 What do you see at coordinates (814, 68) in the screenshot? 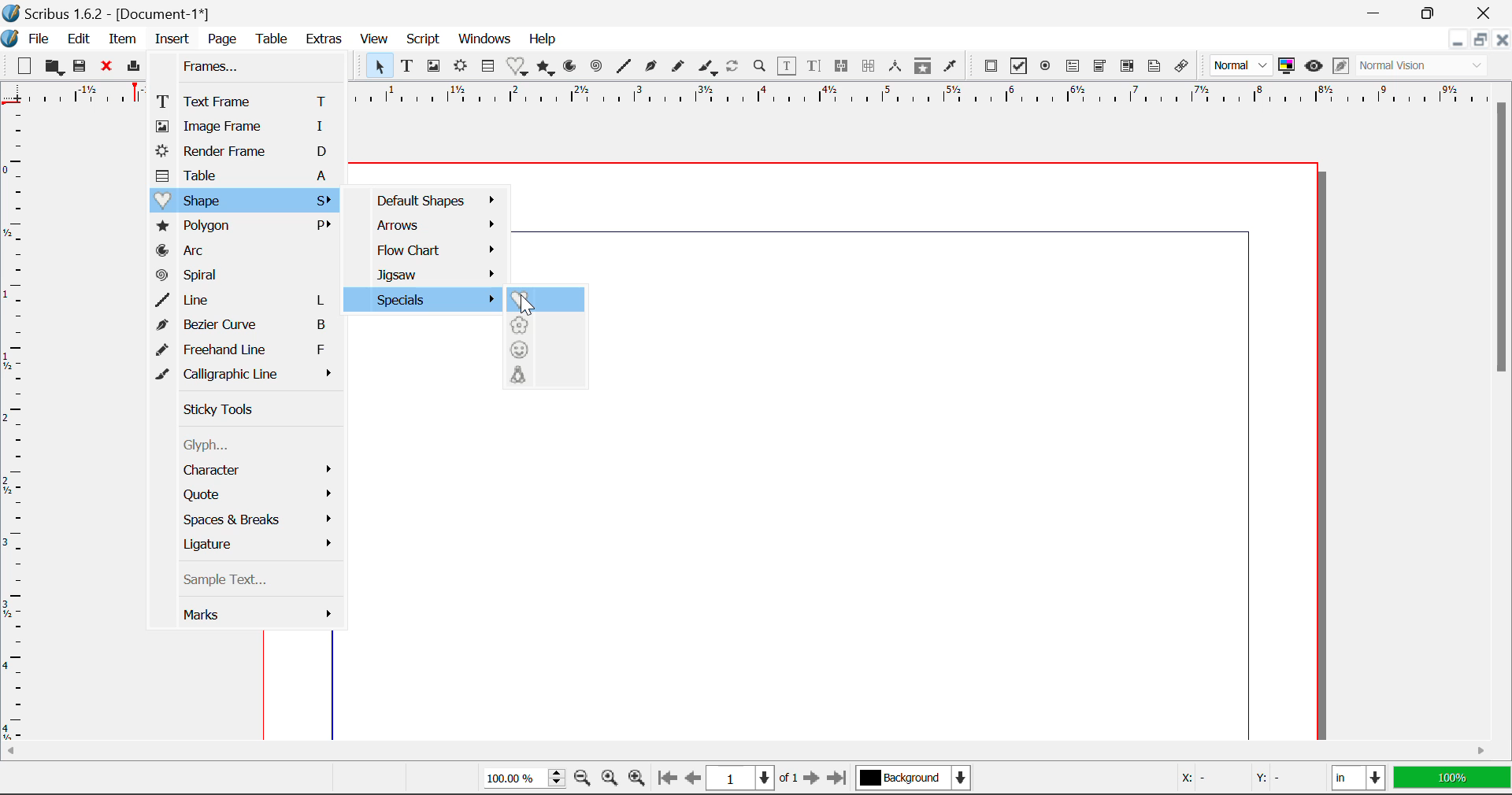
I see `Edit Text in Story Editor` at bounding box center [814, 68].